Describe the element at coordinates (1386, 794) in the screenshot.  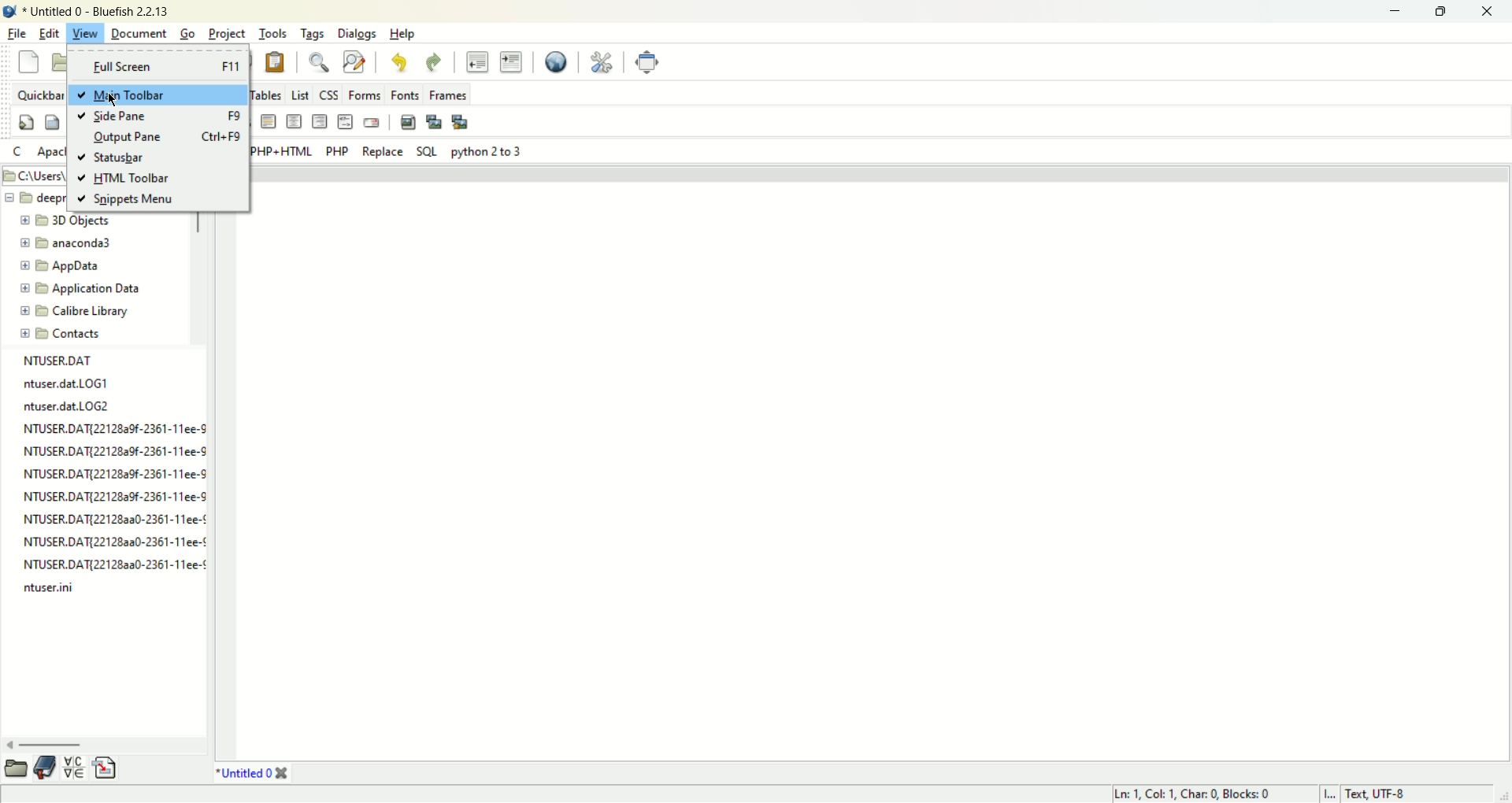
I see `text, UTF-8` at that location.